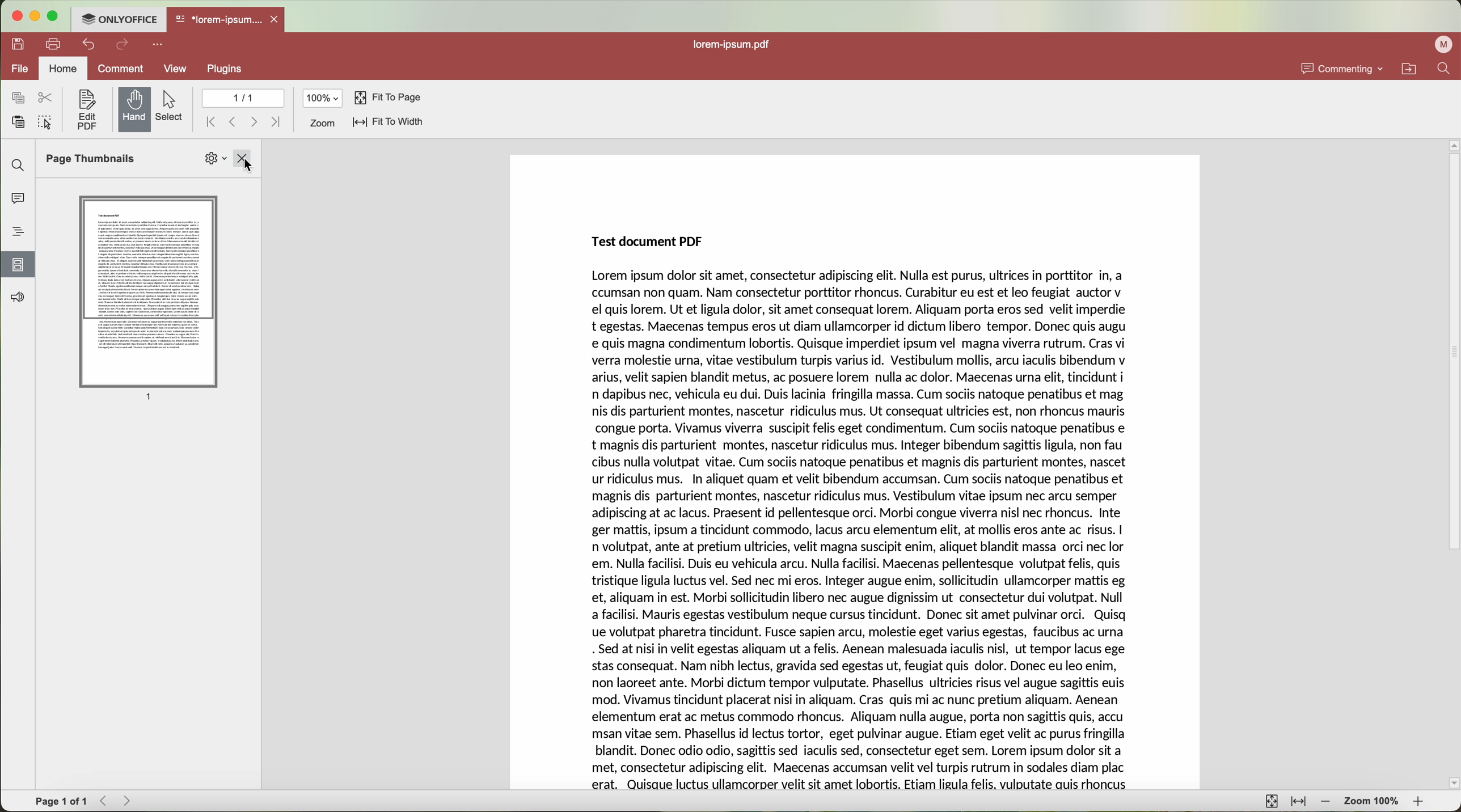 The height and width of the screenshot is (812, 1461). I want to click on zoom 100%, so click(1373, 801).